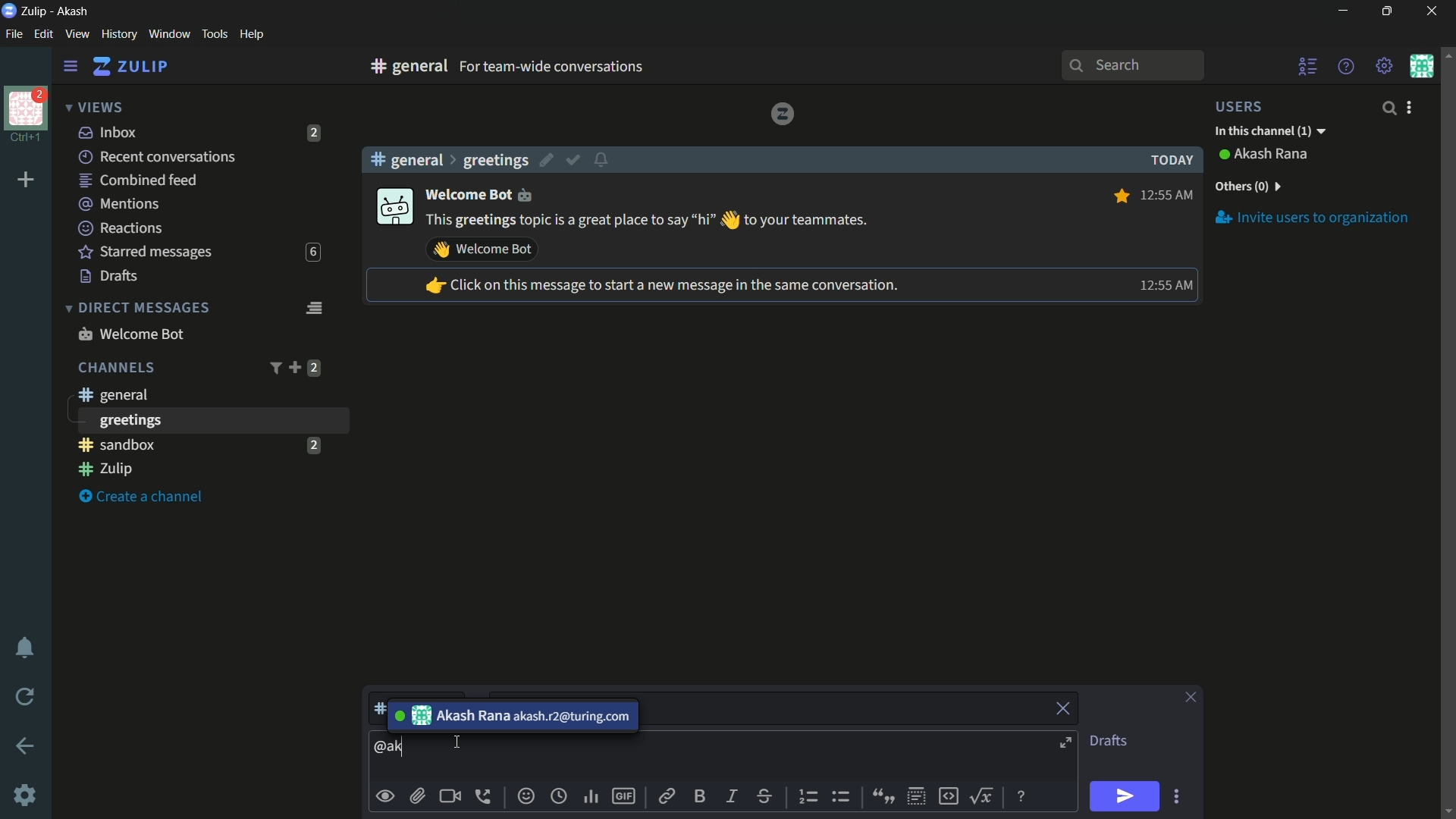  What do you see at coordinates (840, 795) in the screenshot?
I see `underordered list` at bounding box center [840, 795].